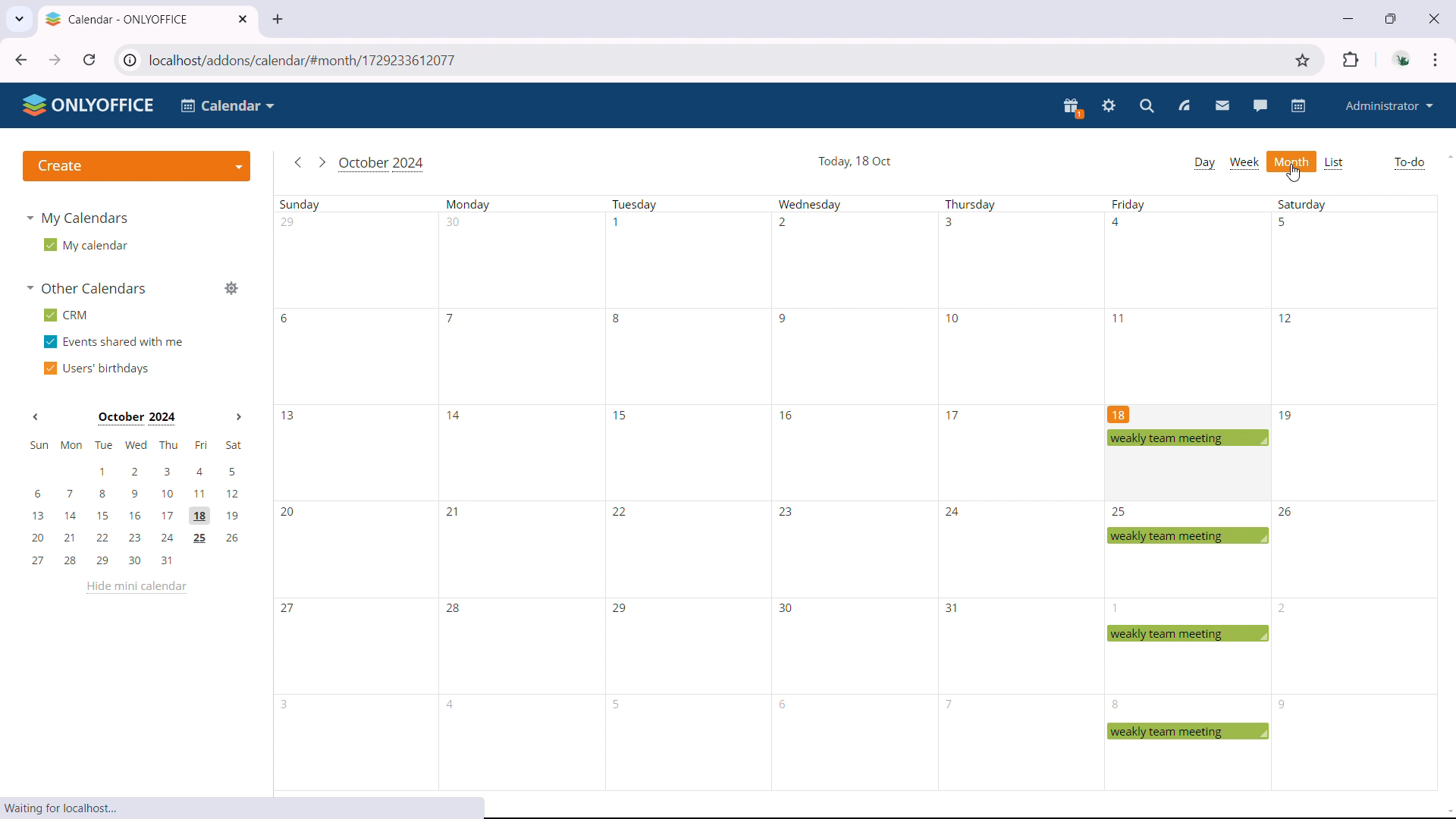 This screenshot has width=1456, height=819. What do you see at coordinates (98, 368) in the screenshot?
I see `users' birthdays` at bounding box center [98, 368].